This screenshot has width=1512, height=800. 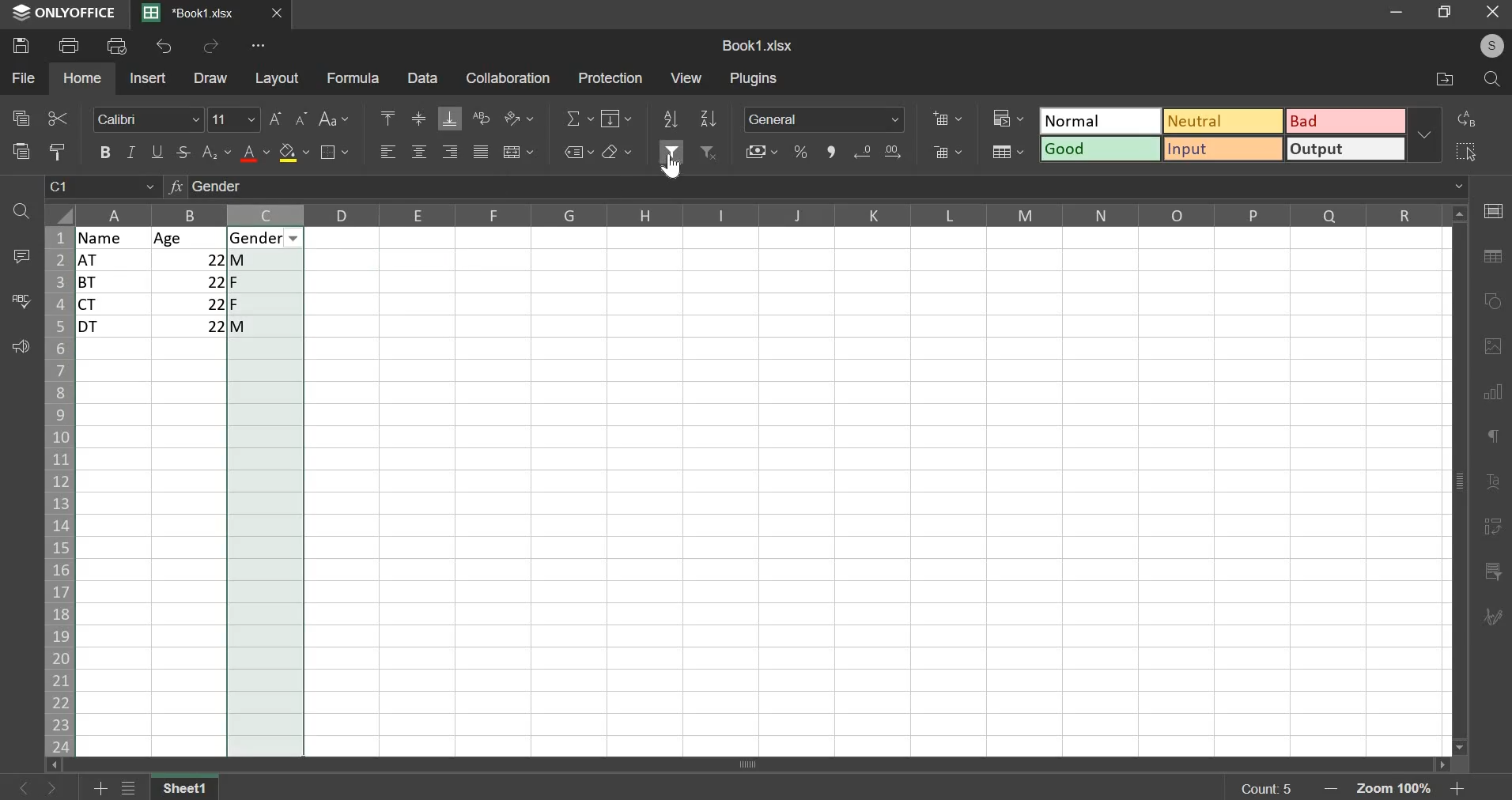 I want to click on merge and center, so click(x=519, y=153).